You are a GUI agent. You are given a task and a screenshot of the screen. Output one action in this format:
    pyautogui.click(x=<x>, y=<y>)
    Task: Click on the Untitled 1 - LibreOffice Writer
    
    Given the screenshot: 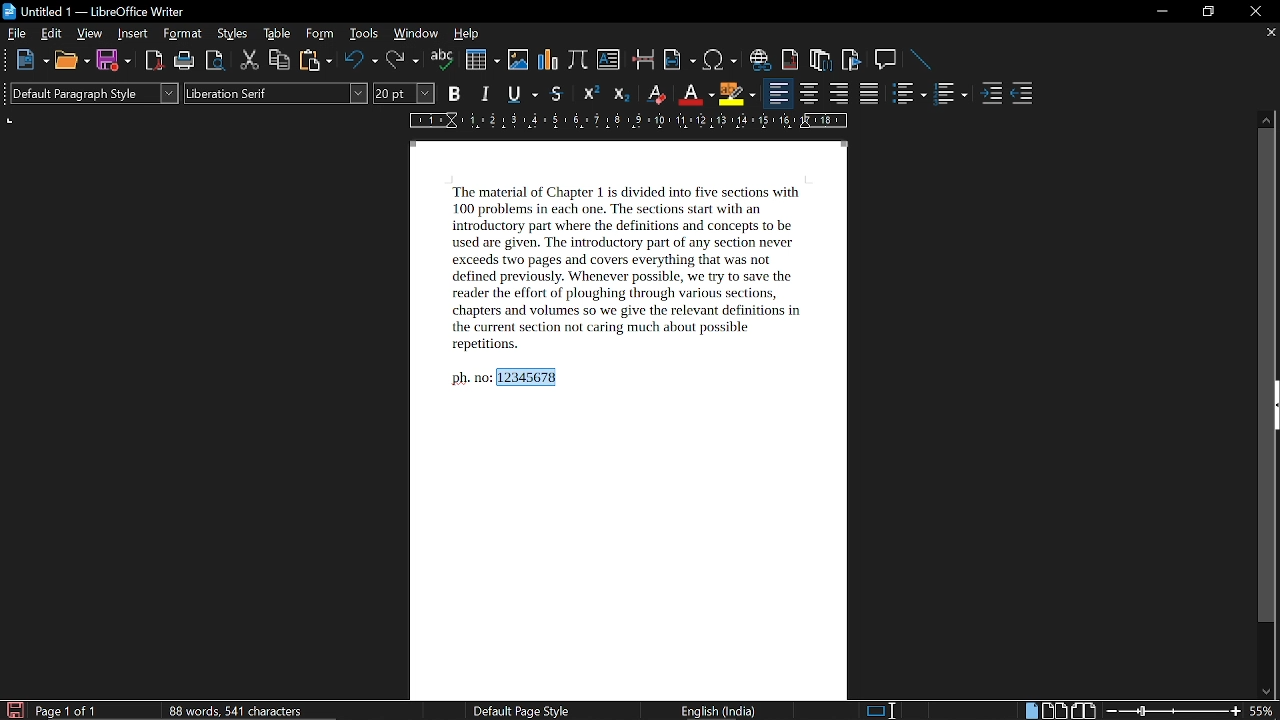 What is the action you would take?
    pyautogui.click(x=96, y=11)
    